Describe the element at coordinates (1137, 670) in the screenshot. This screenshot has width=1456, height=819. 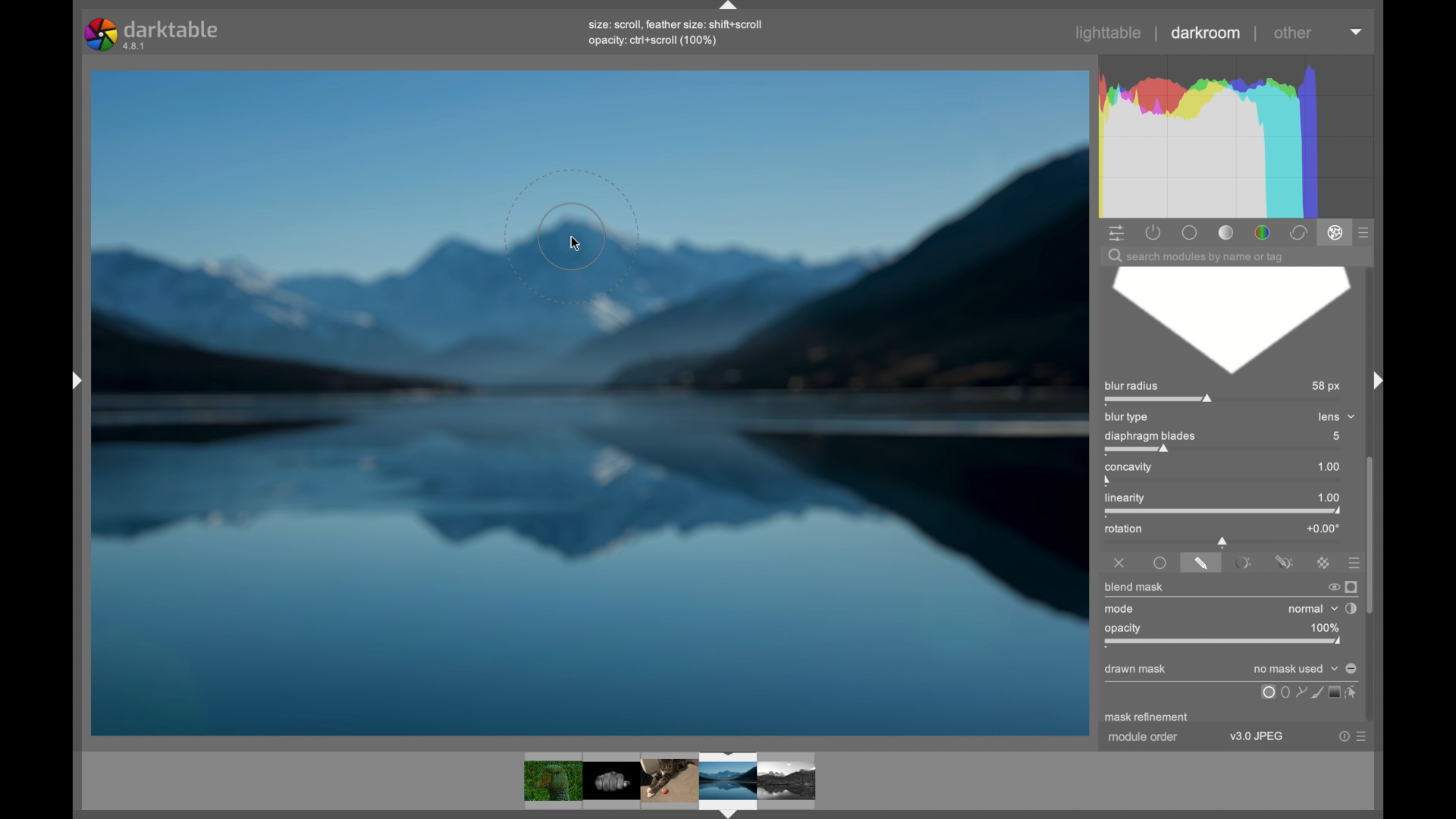
I see `drawn mask` at that location.